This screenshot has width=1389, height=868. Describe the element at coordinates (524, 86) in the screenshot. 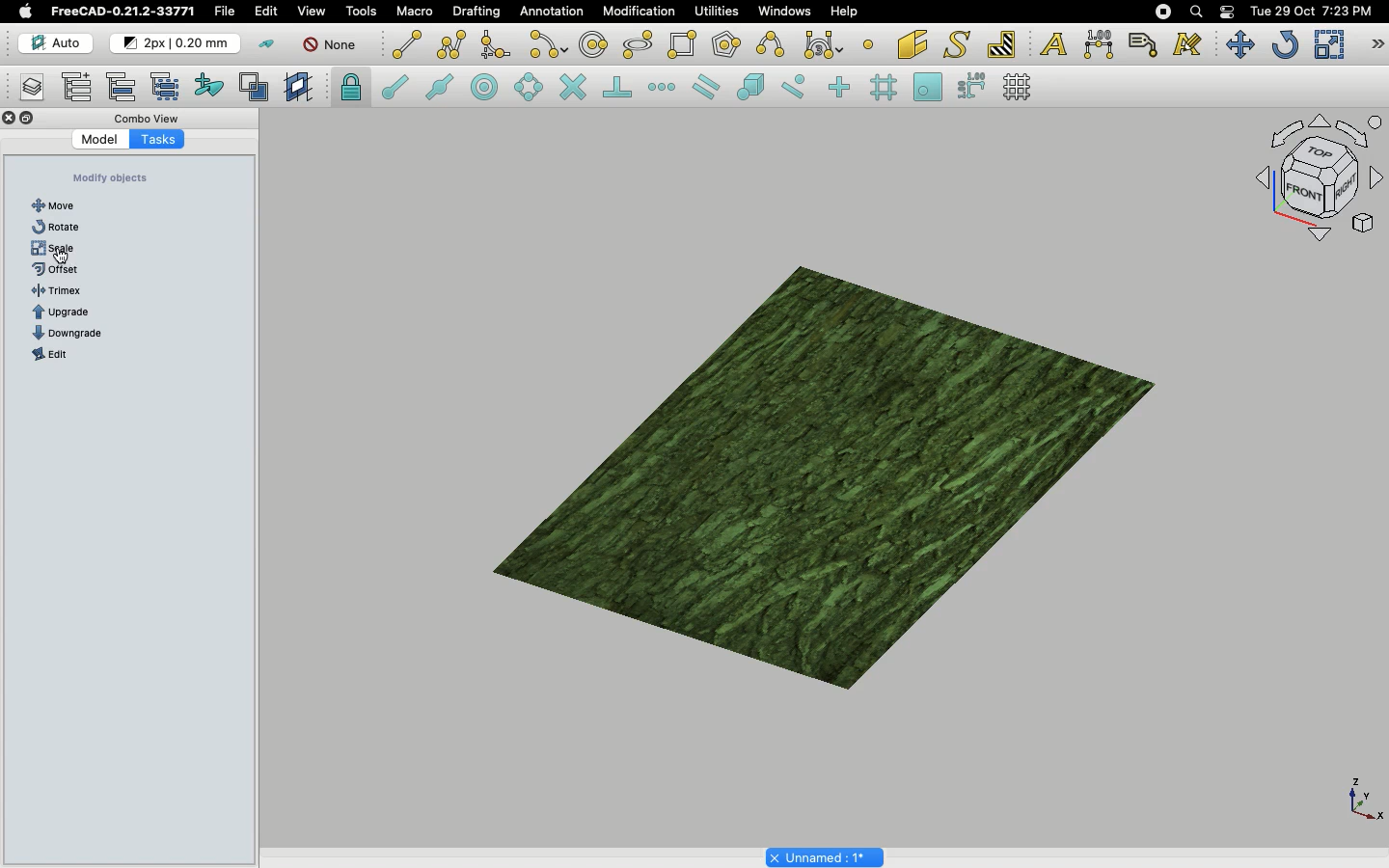

I see `Snap angle` at that location.